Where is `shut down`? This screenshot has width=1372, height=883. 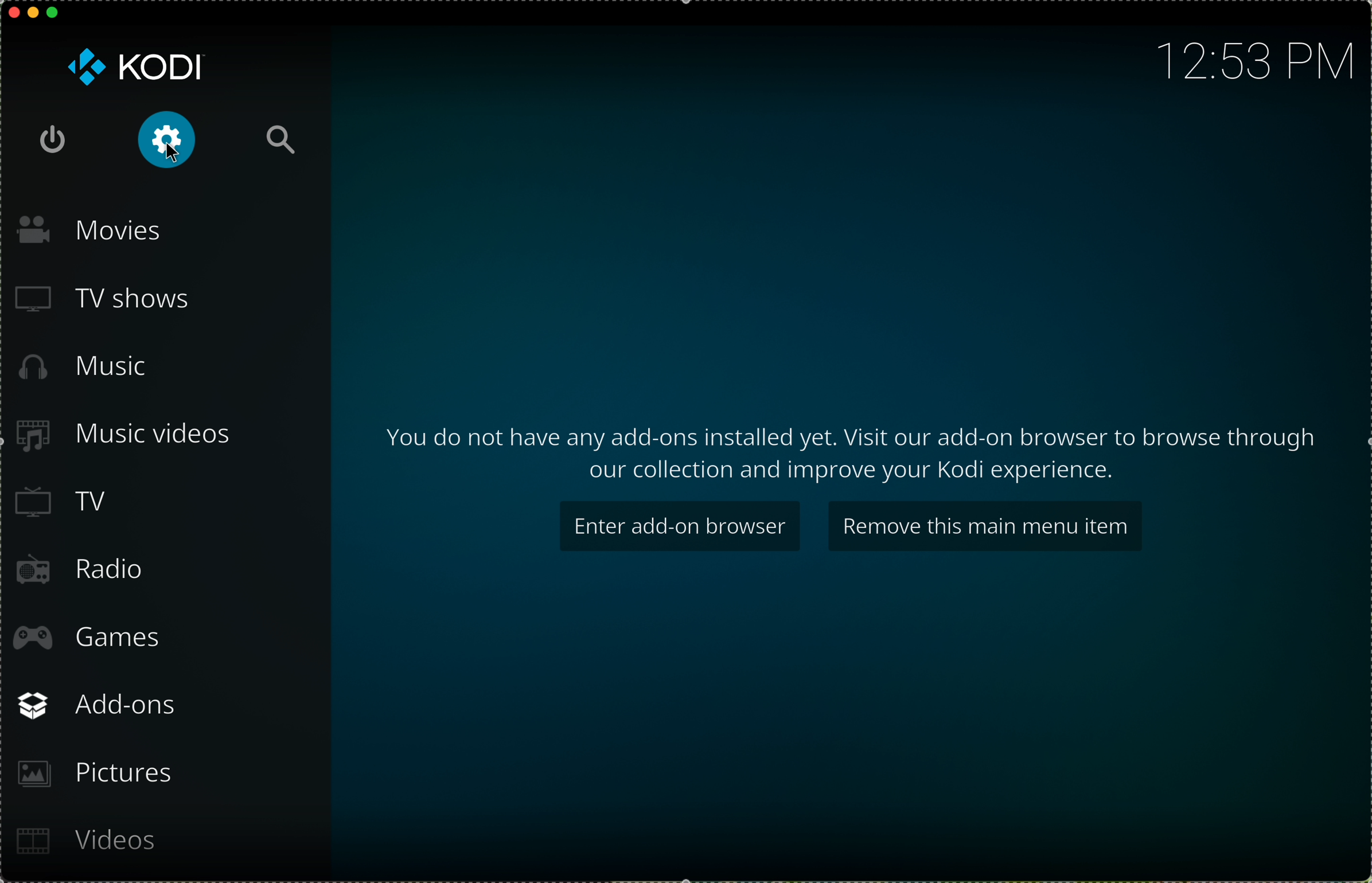
shut down is located at coordinates (54, 139).